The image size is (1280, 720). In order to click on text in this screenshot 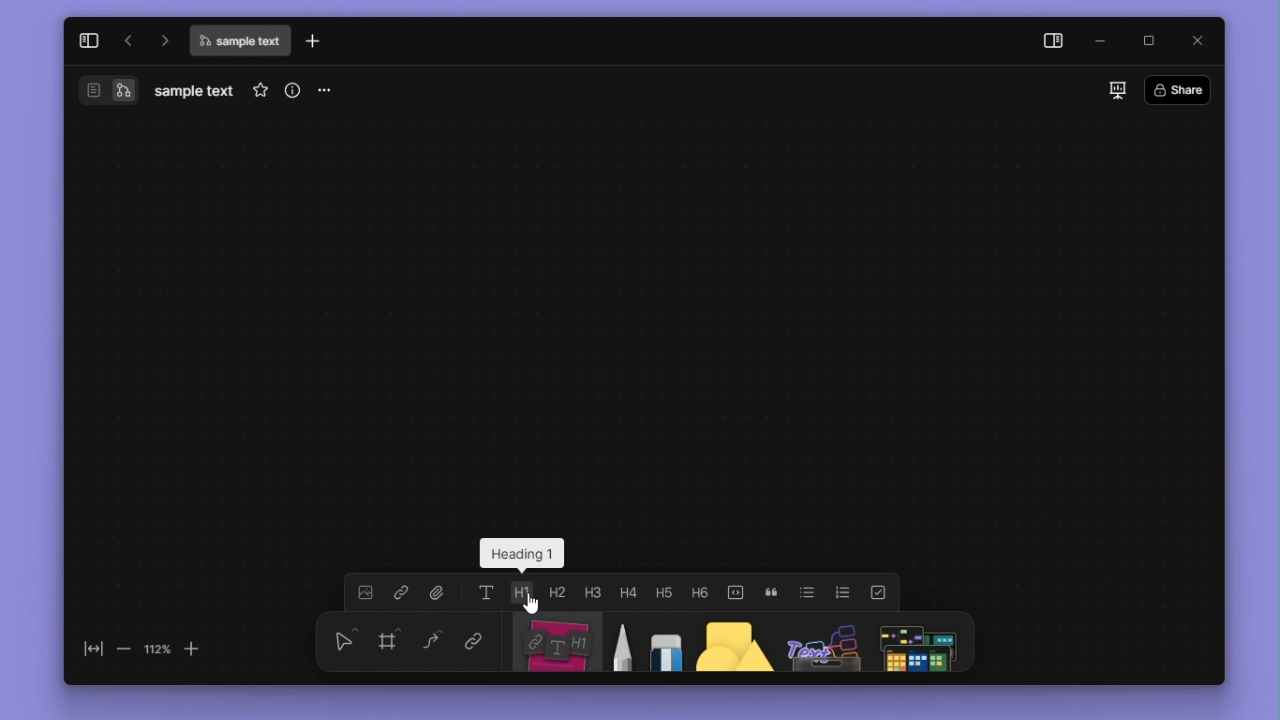, I will do `click(487, 592)`.